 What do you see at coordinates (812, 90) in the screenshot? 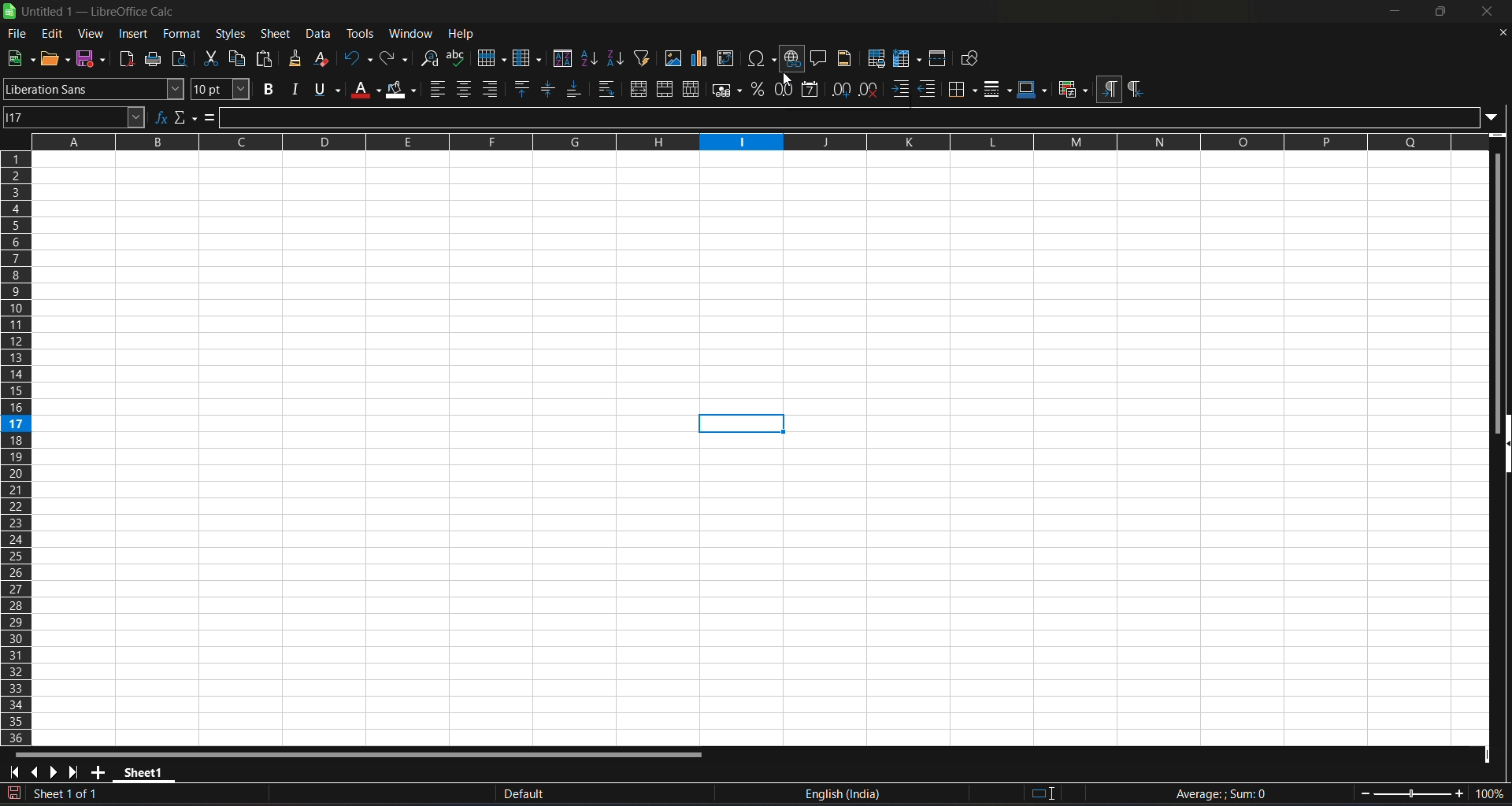
I see `format as date` at bounding box center [812, 90].